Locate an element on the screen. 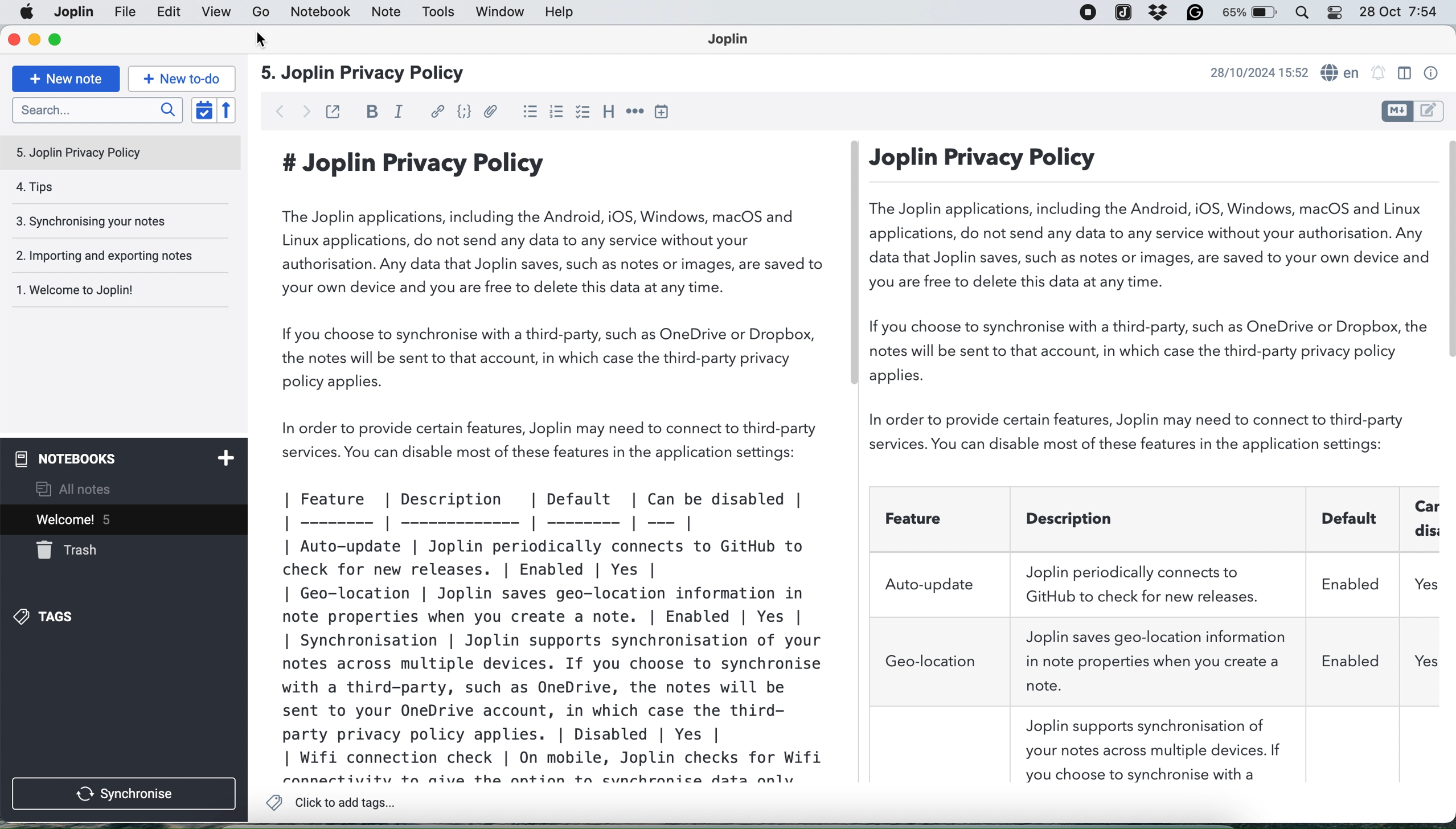 Image resolution: width=1456 pixels, height=829 pixels. 2. Importing and exporting notes is located at coordinates (114, 256).